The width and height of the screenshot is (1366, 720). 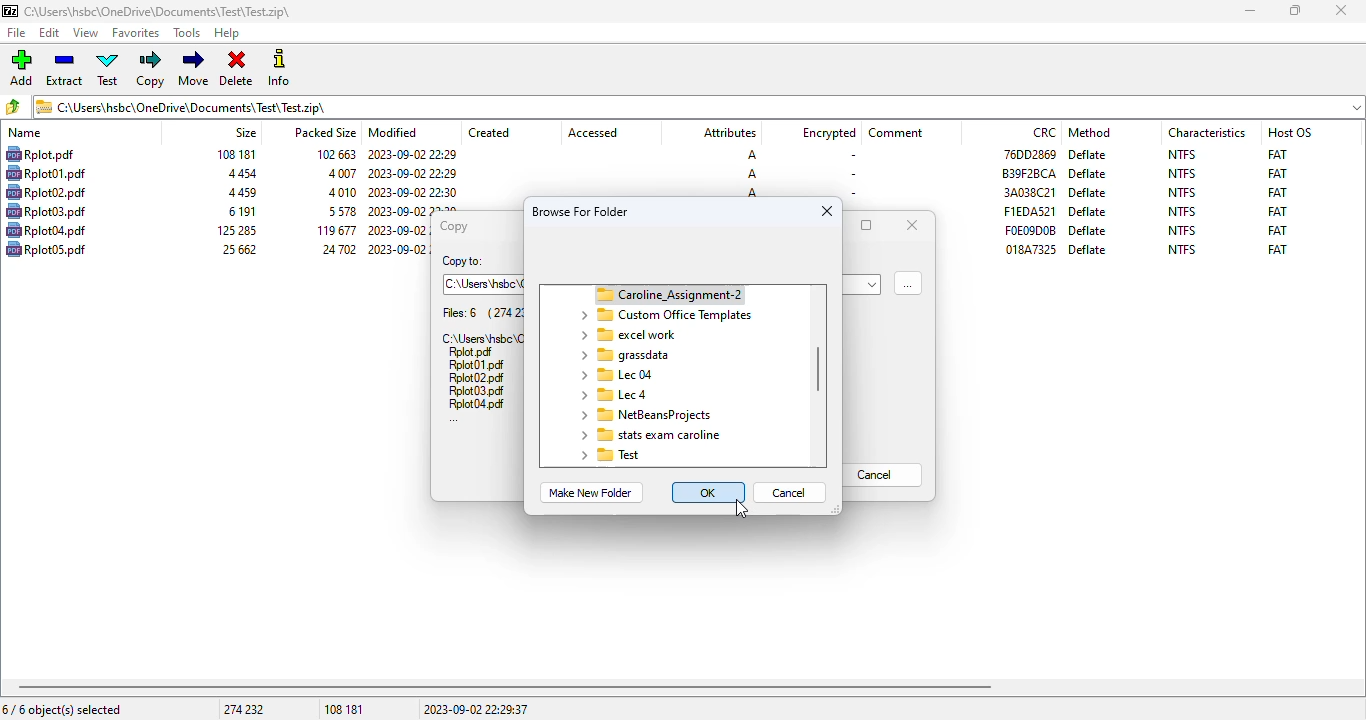 What do you see at coordinates (1277, 153) in the screenshot?
I see `FAT` at bounding box center [1277, 153].